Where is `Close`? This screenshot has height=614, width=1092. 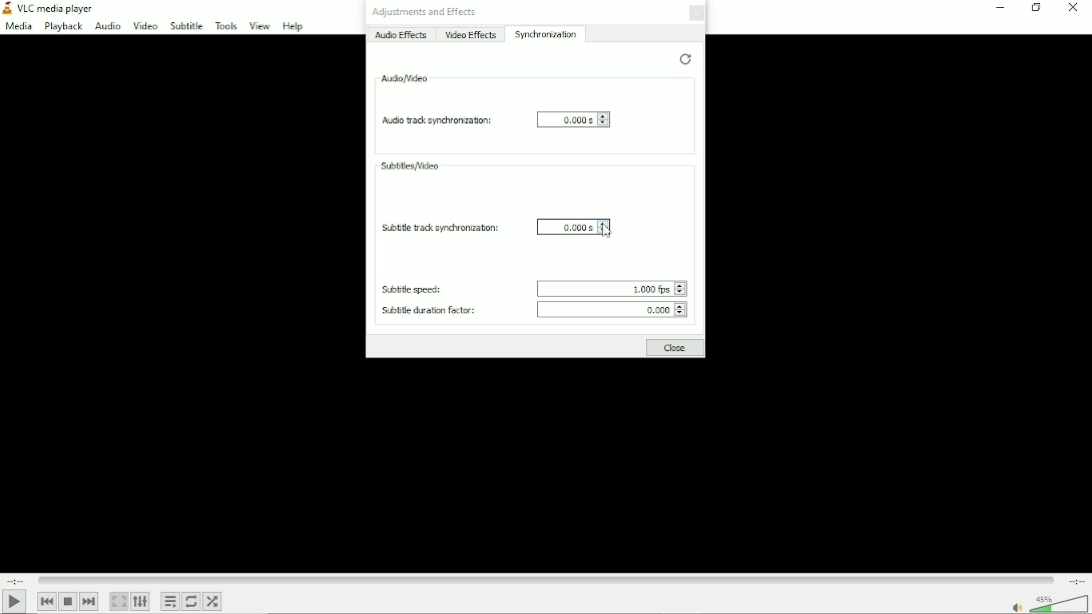
Close is located at coordinates (676, 349).